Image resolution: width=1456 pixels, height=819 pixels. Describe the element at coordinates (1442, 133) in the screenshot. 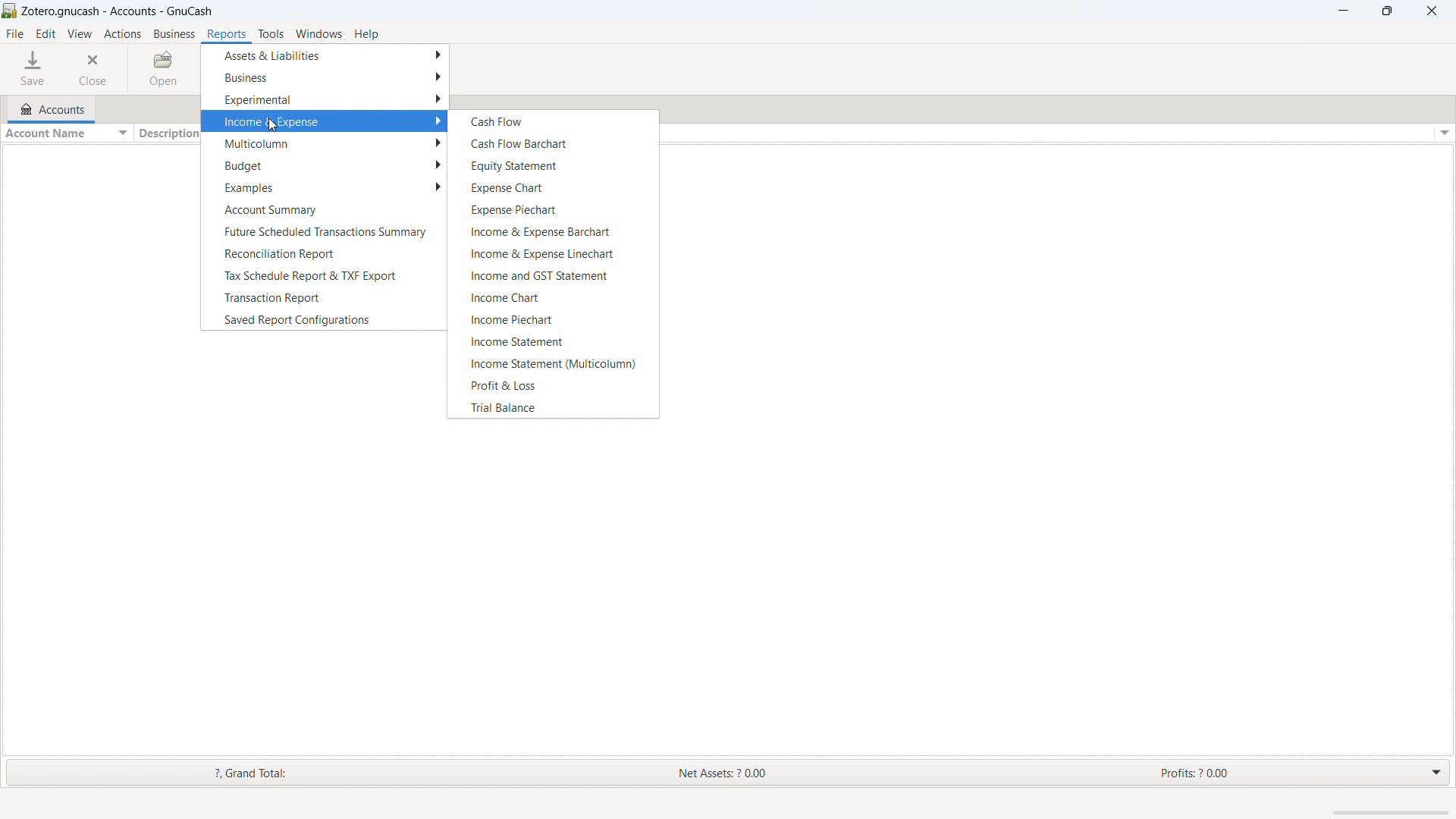

I see `options` at that location.